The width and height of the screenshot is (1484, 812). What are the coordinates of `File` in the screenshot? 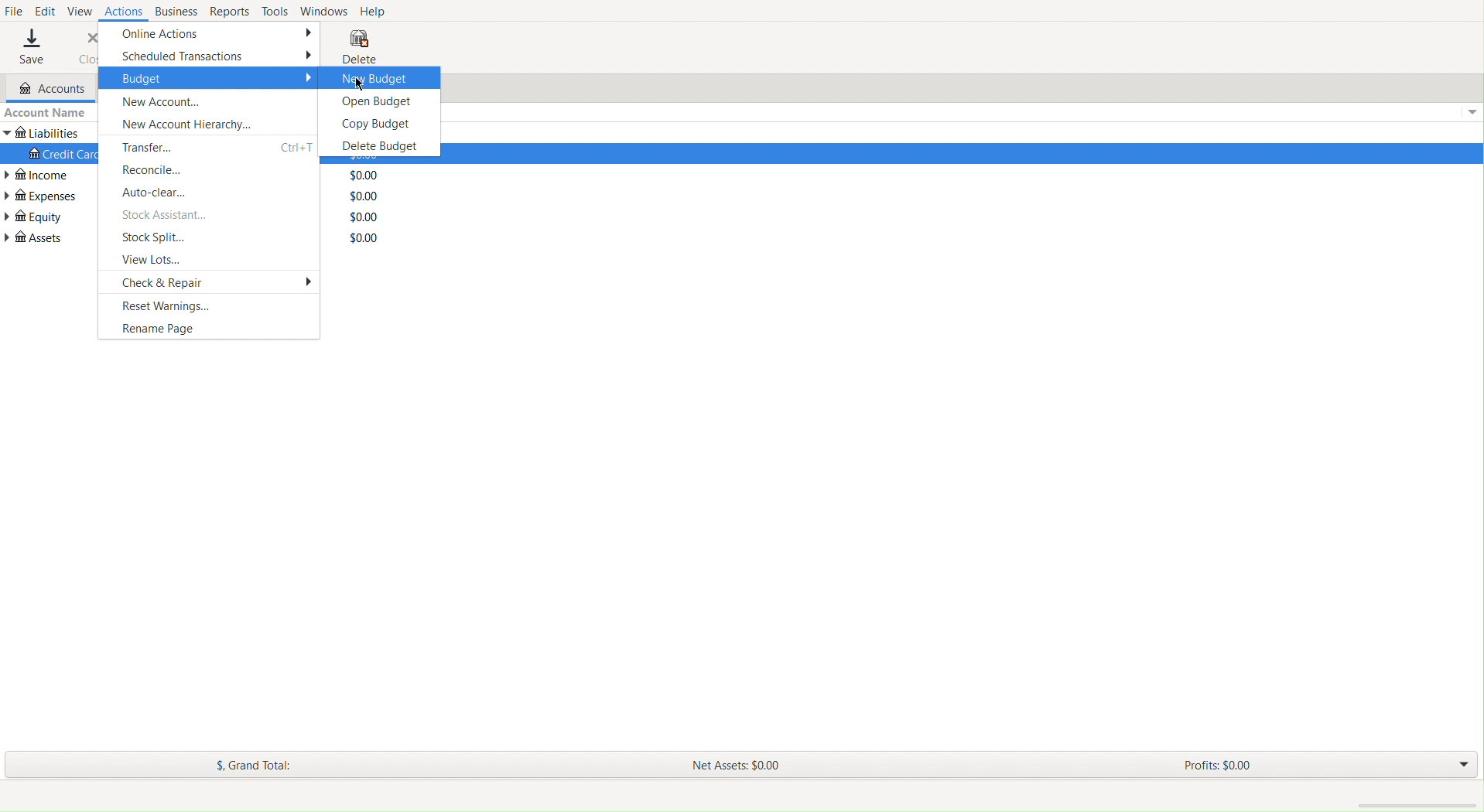 It's located at (15, 11).